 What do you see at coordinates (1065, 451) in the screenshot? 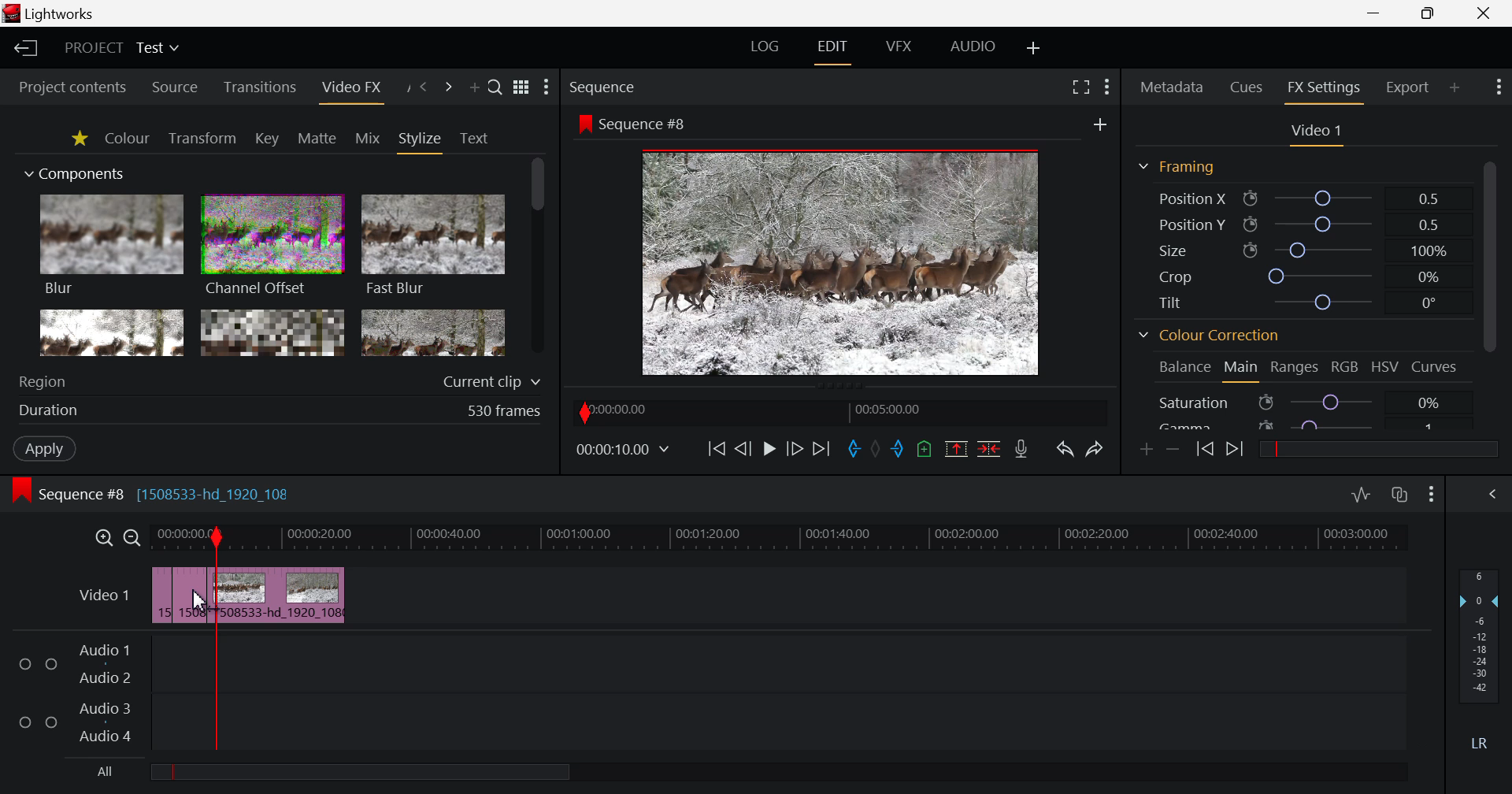
I see `Undo` at bounding box center [1065, 451].